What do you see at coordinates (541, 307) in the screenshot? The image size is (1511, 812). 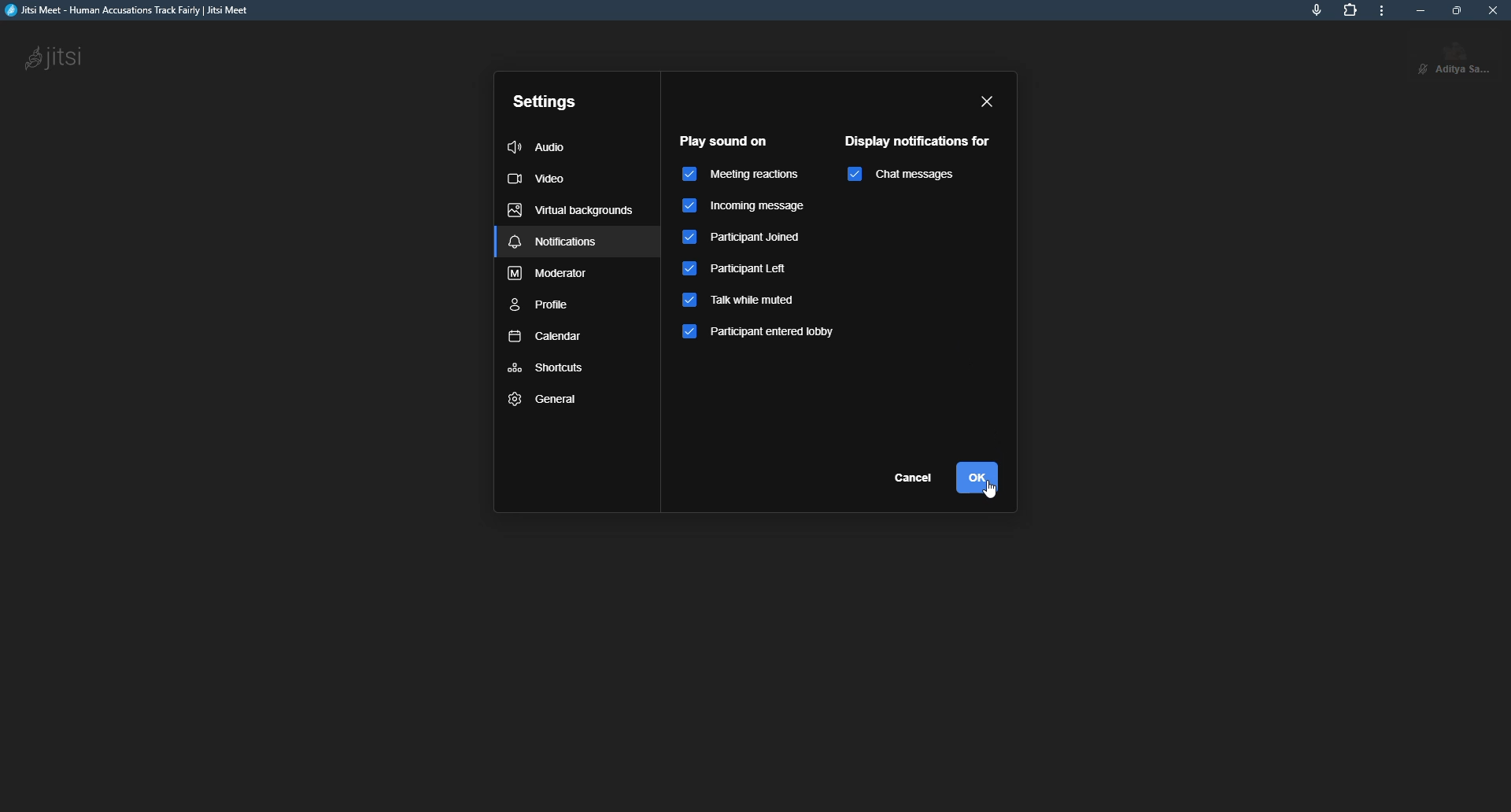 I see `profile` at bounding box center [541, 307].